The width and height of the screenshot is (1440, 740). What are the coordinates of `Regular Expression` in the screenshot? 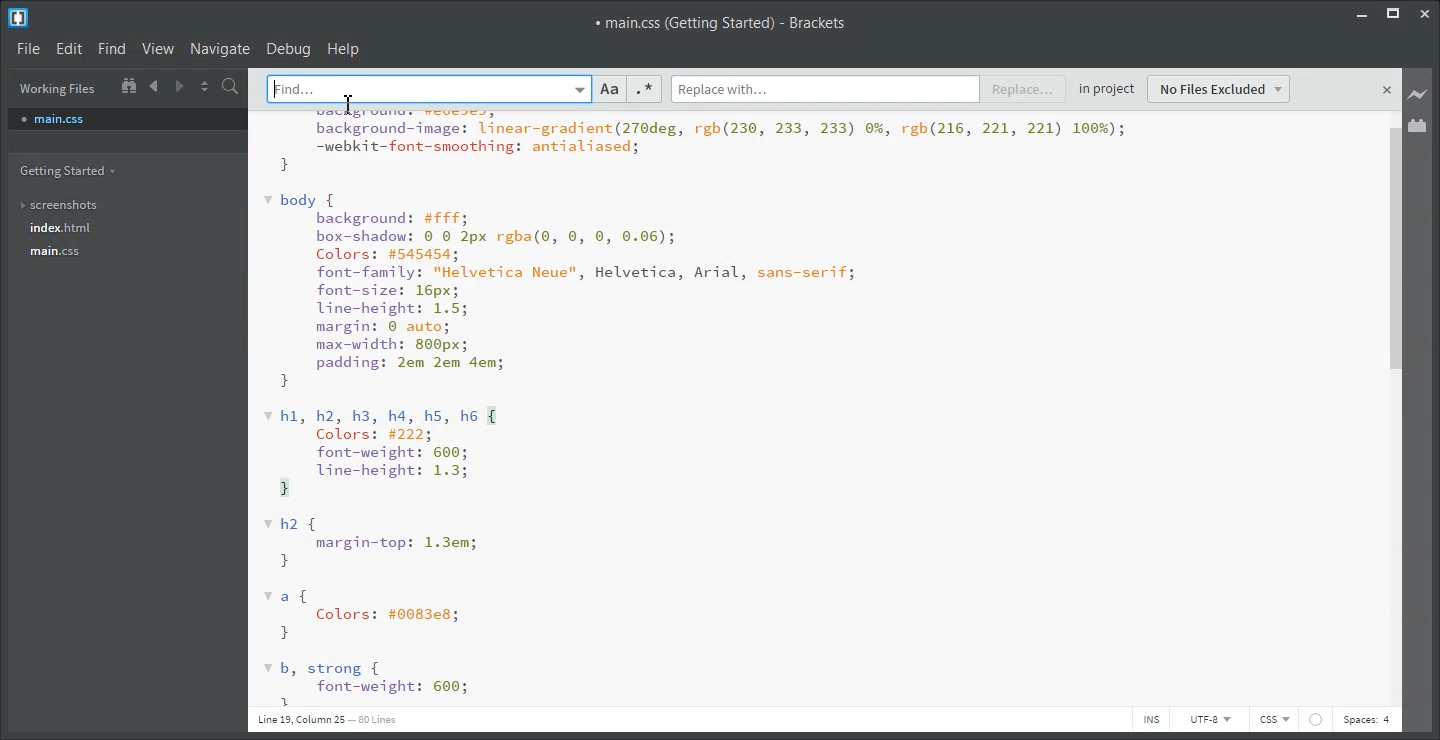 It's located at (644, 89).